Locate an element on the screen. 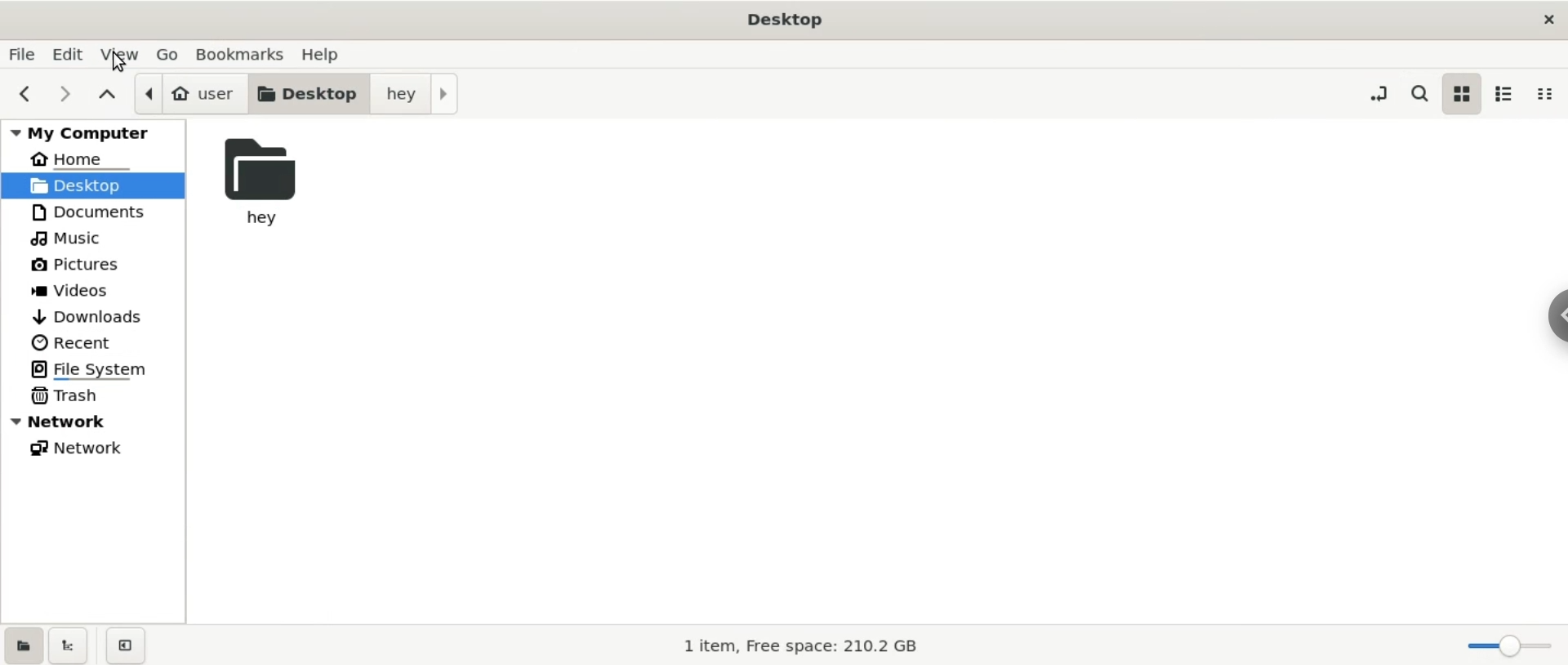 The height and width of the screenshot is (665, 1568). list view is located at coordinates (1507, 91).